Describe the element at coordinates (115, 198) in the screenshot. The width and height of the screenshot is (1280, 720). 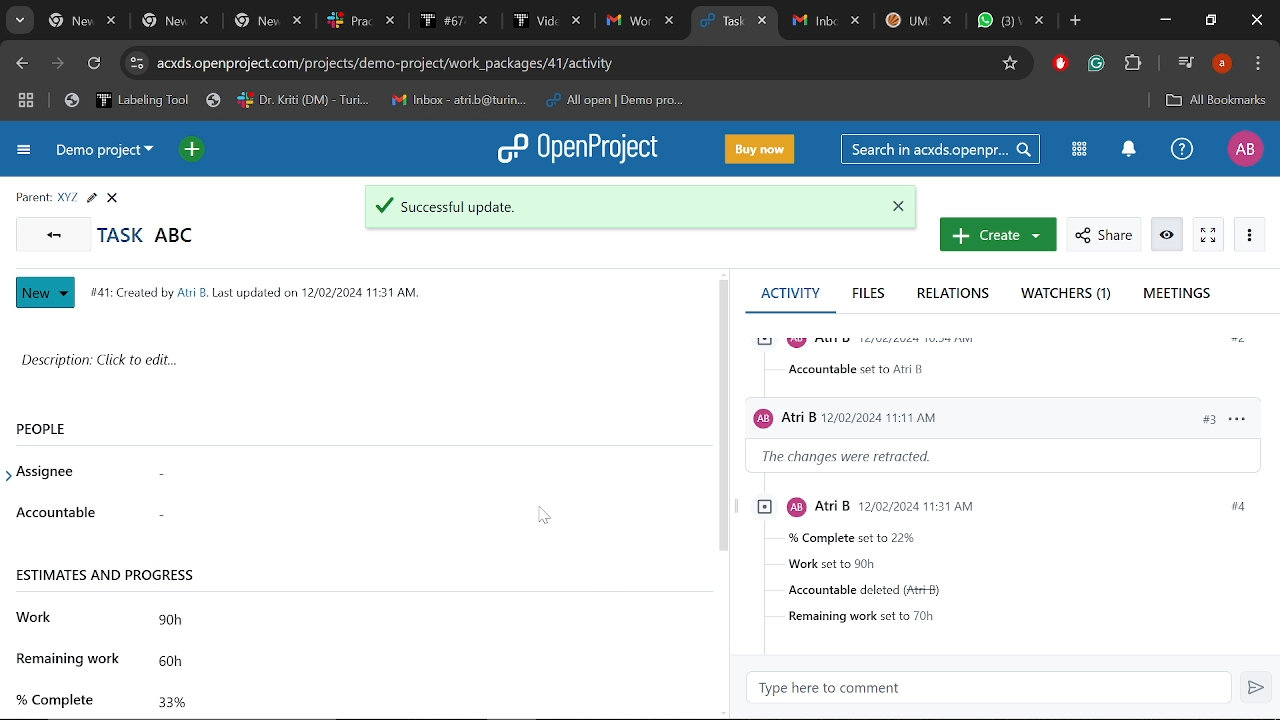
I see `CLose` at that location.